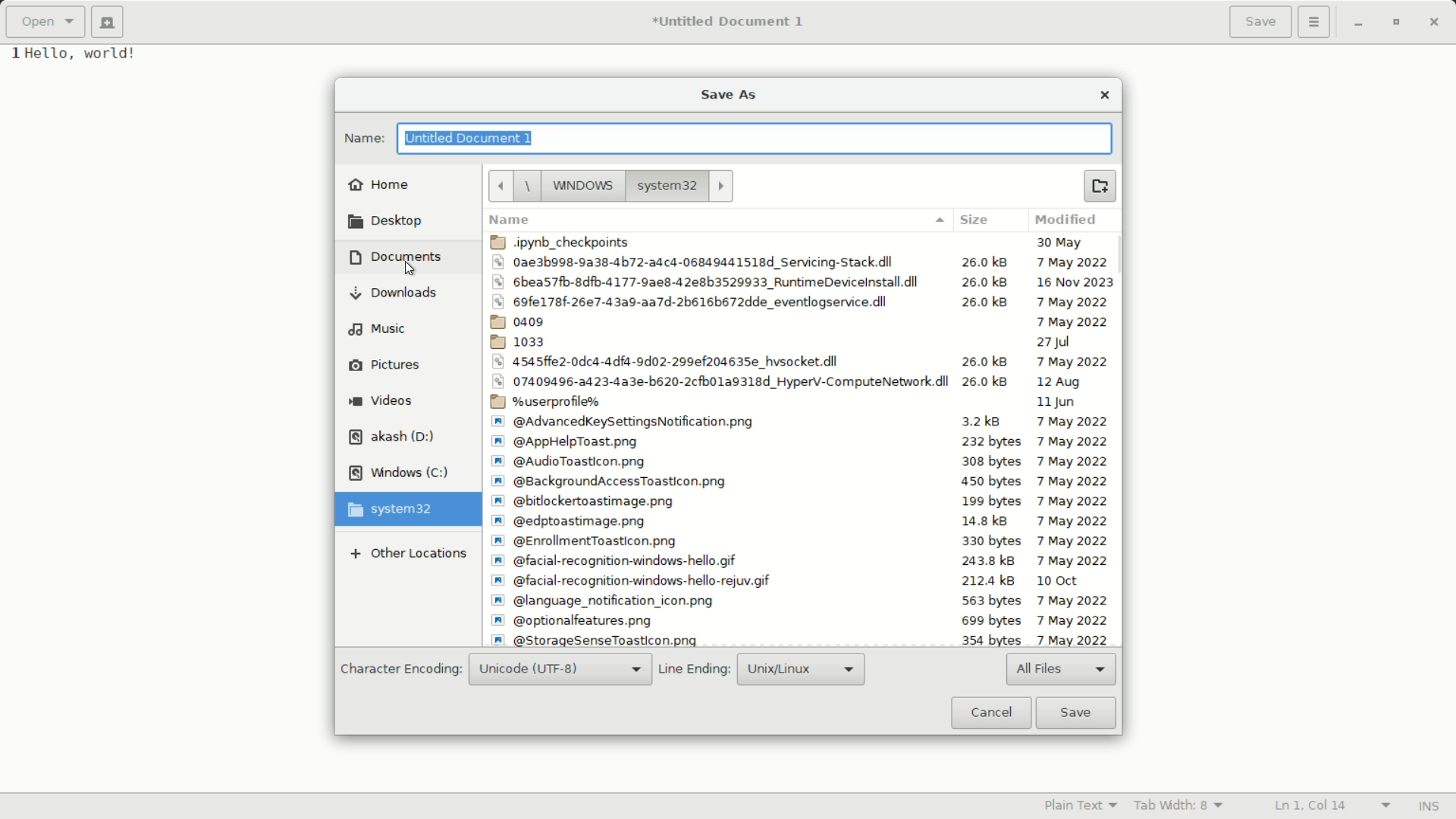 The height and width of the screenshot is (819, 1456). What do you see at coordinates (399, 474) in the screenshot?
I see `windows (C:)` at bounding box center [399, 474].